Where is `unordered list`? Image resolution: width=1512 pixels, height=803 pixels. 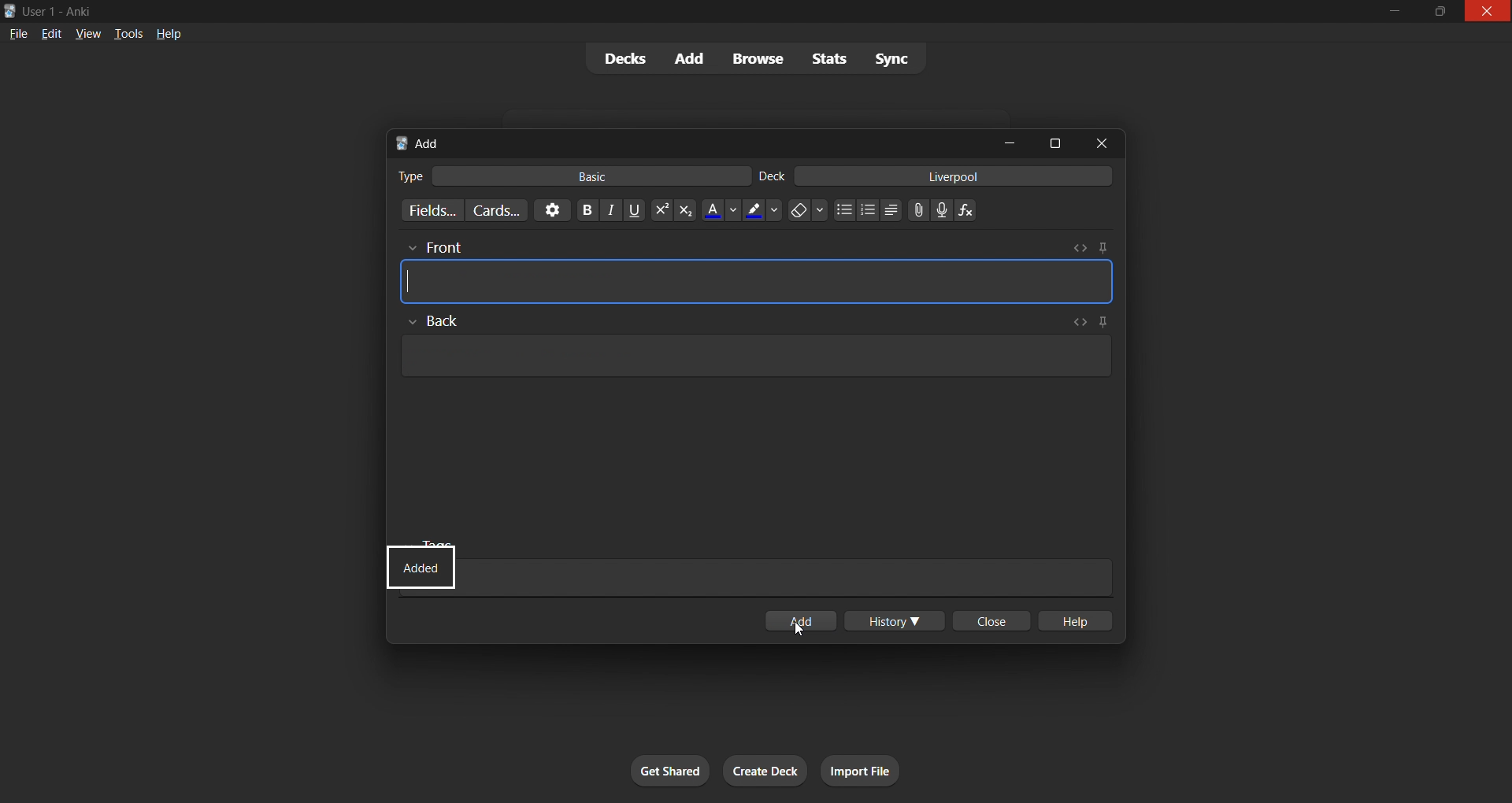 unordered list is located at coordinates (841, 209).